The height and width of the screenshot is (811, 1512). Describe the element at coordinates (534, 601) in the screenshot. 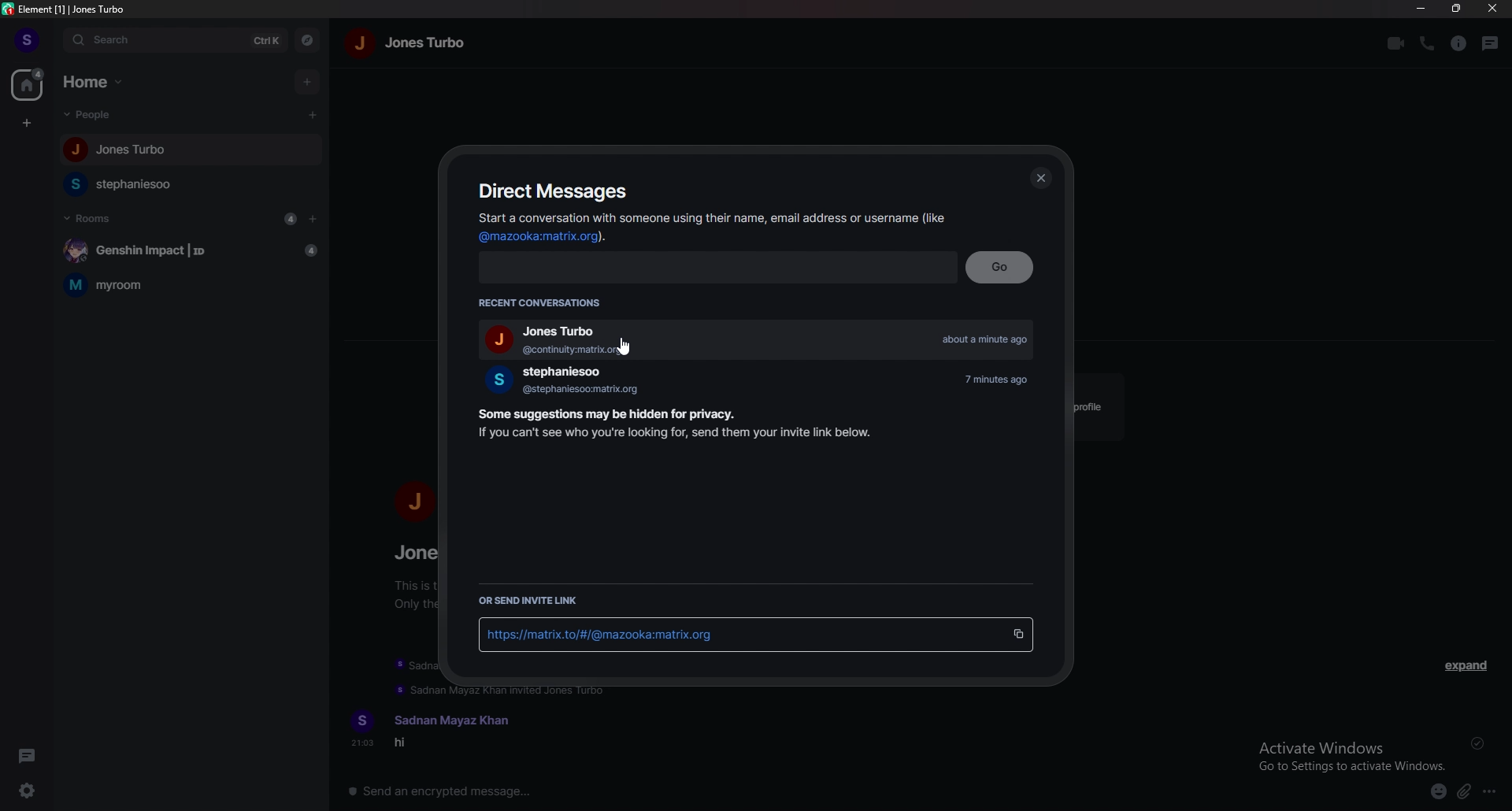

I see `or send invite link` at that location.